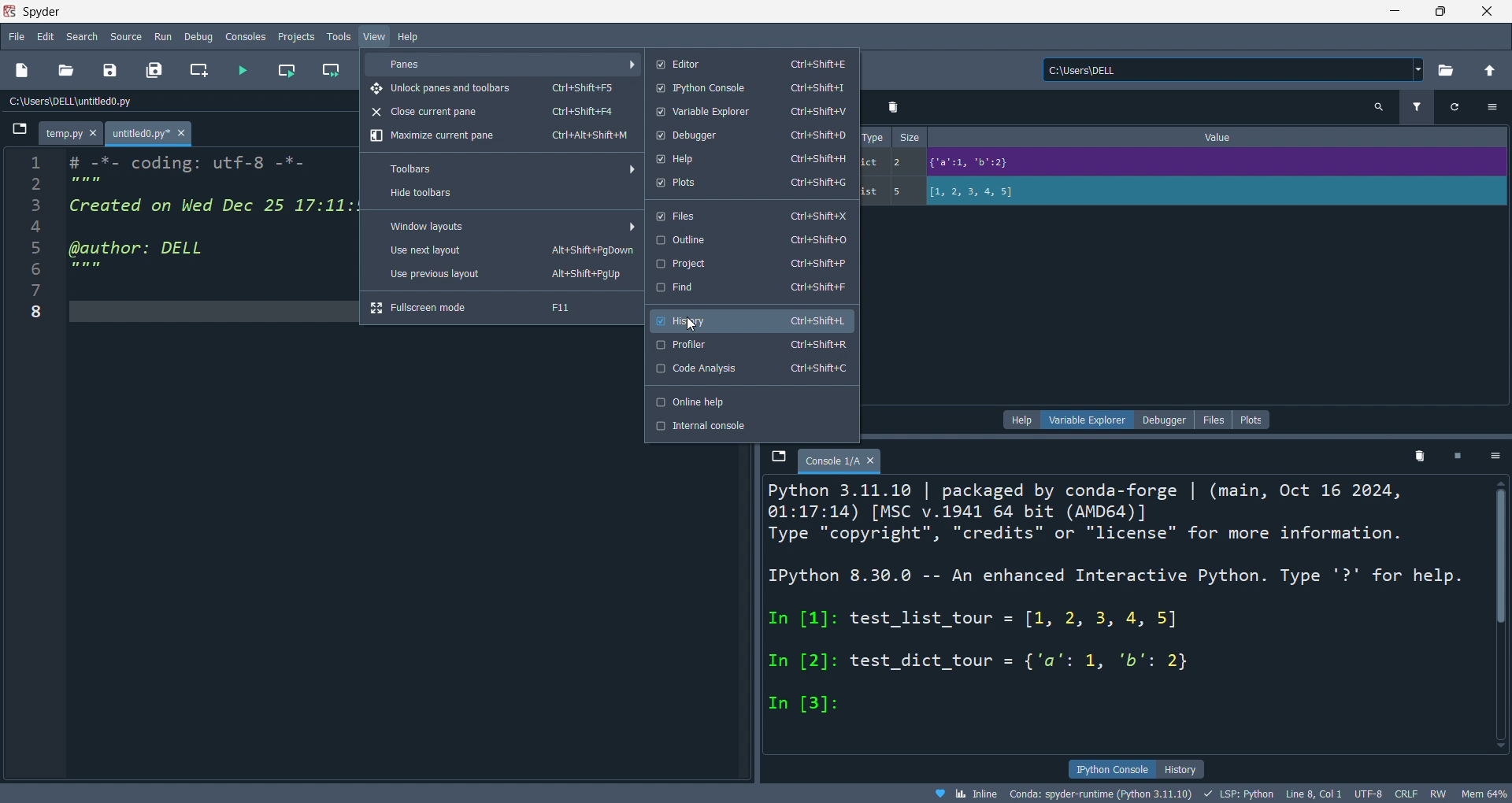 The height and width of the screenshot is (803, 1512). Describe the element at coordinates (509, 168) in the screenshot. I see `toolbars` at that location.